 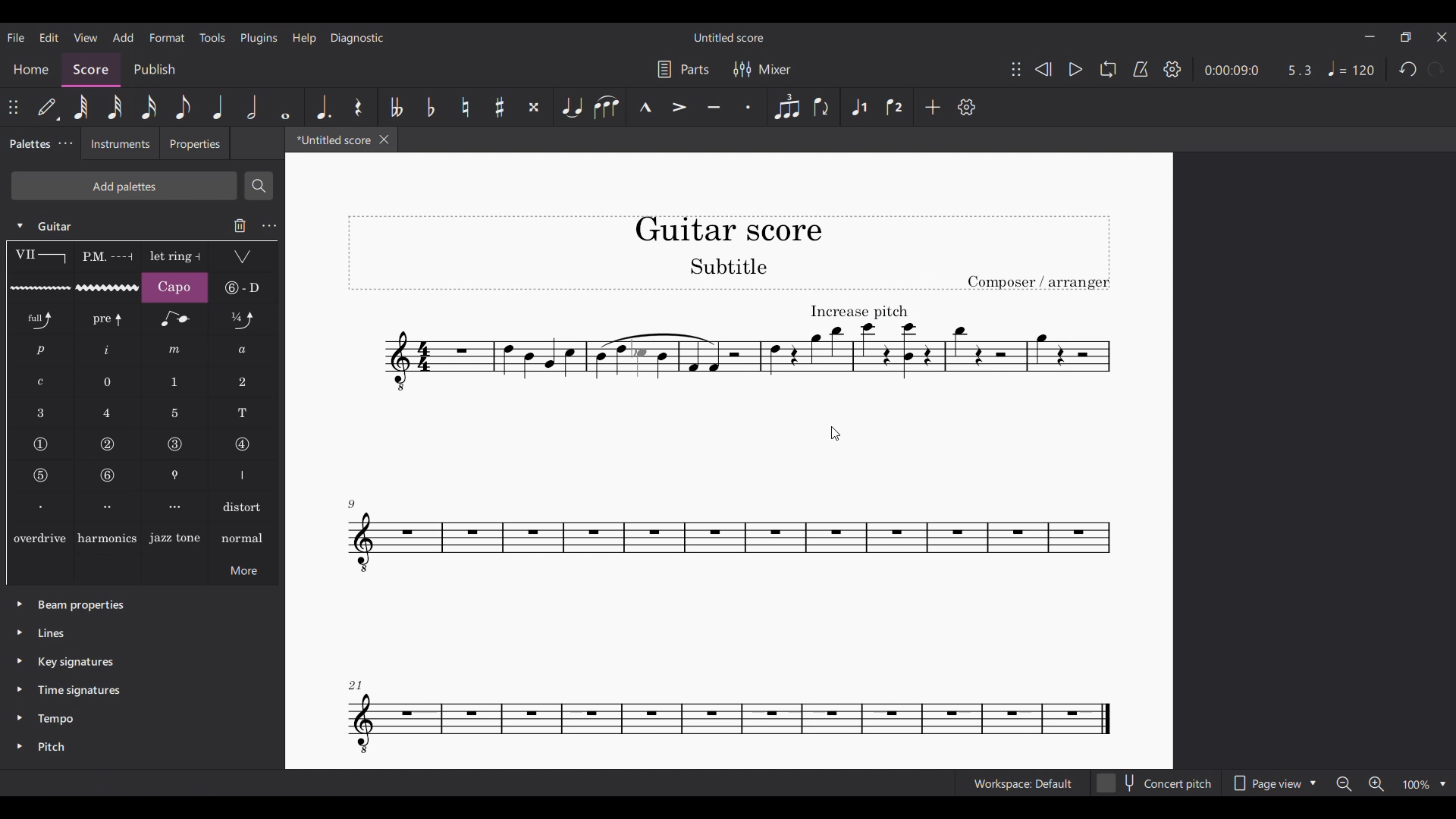 I want to click on Format menu, so click(x=167, y=37).